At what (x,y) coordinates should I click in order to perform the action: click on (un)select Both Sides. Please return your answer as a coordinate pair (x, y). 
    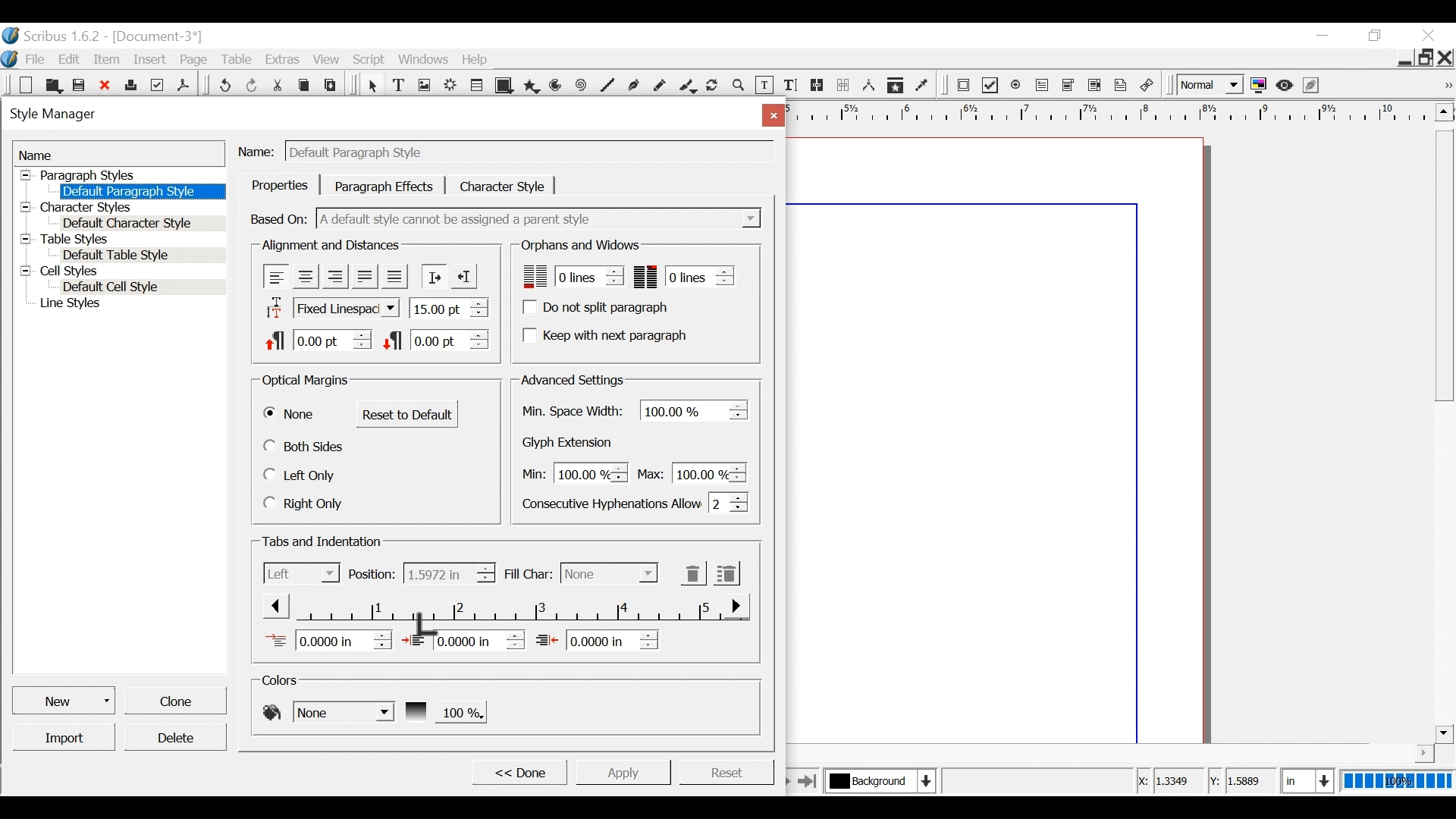
    Looking at the image, I should click on (306, 446).